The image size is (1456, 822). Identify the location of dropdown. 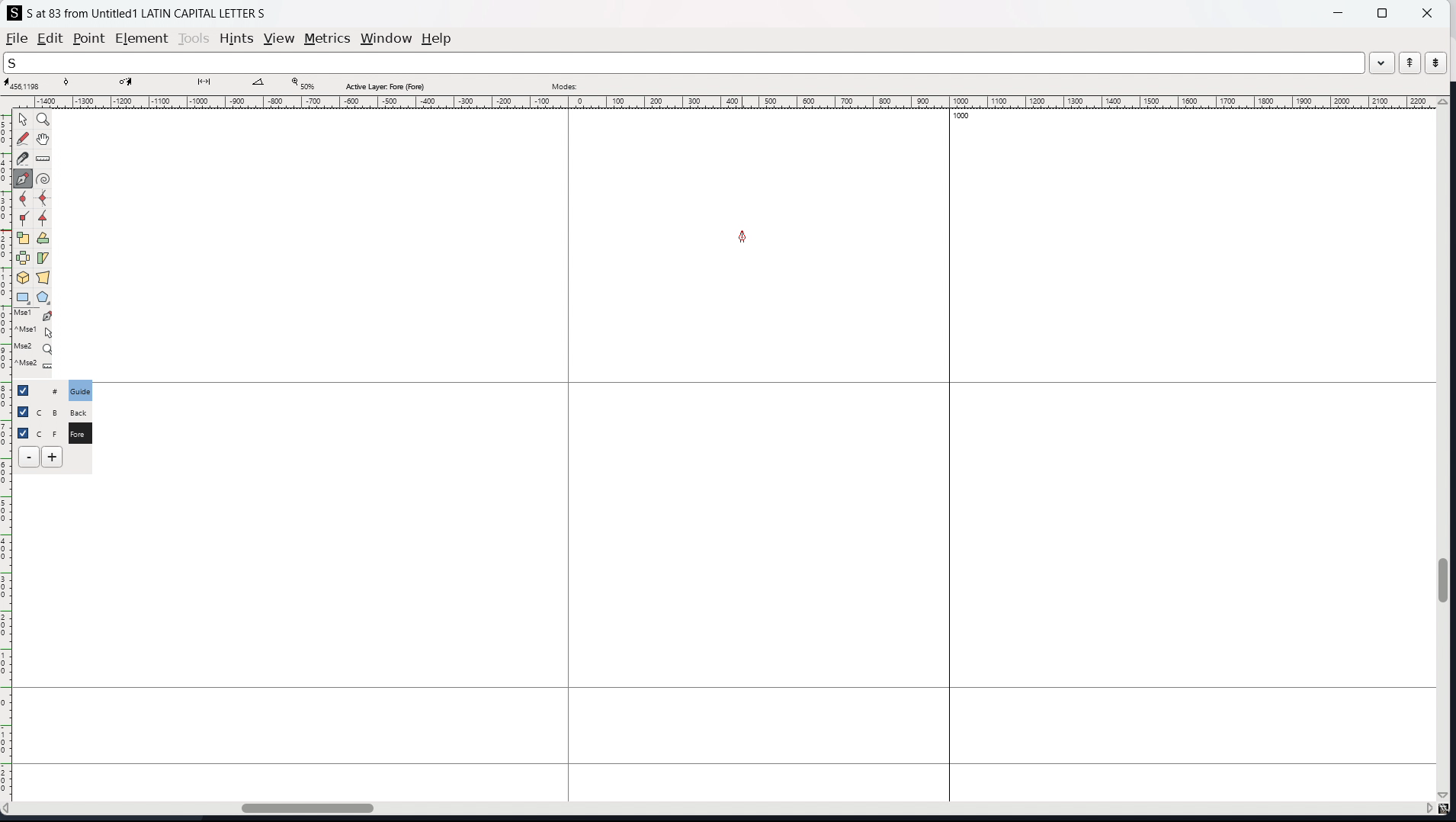
(1382, 62).